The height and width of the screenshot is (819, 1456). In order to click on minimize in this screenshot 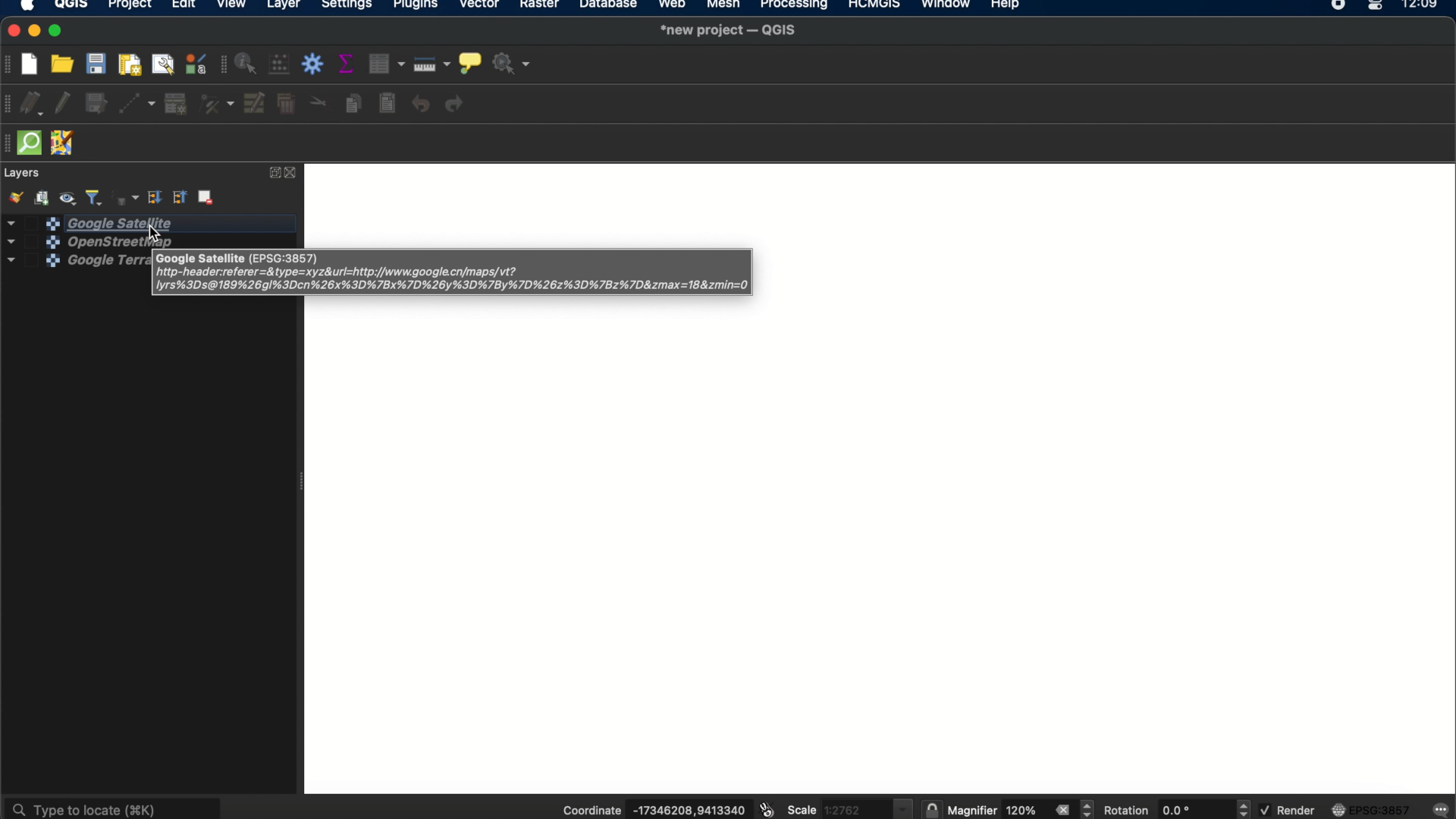, I will do `click(36, 31)`.